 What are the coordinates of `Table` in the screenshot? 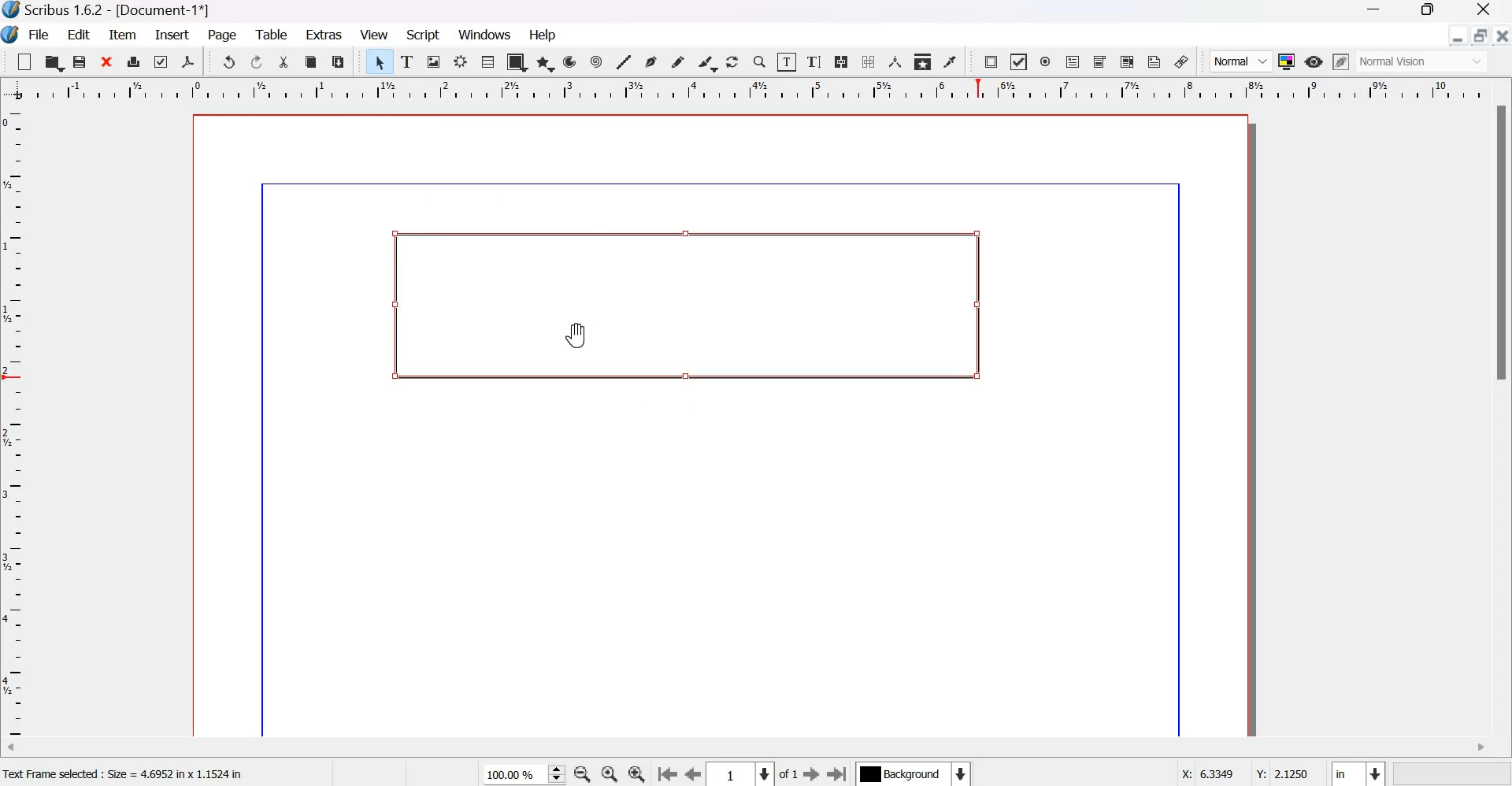 It's located at (487, 61).